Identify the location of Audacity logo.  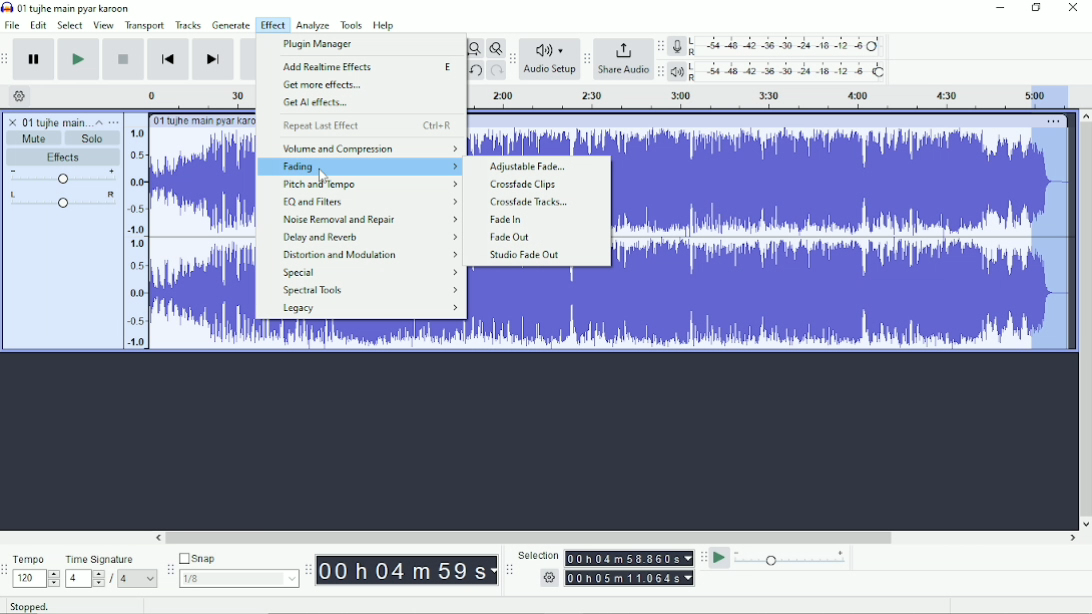
(7, 8).